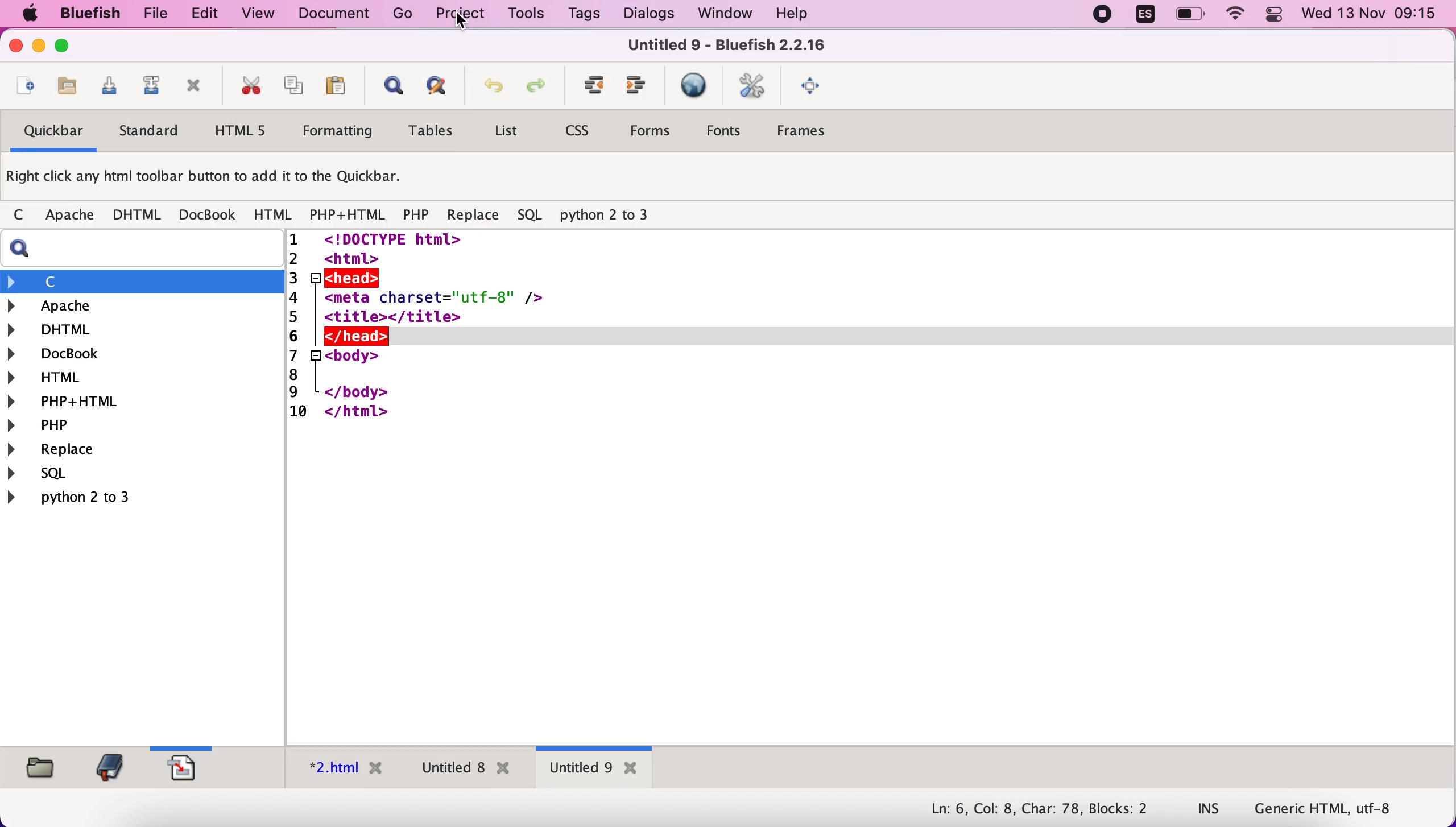 The image size is (1456, 827). I want to click on save current file, so click(106, 89).